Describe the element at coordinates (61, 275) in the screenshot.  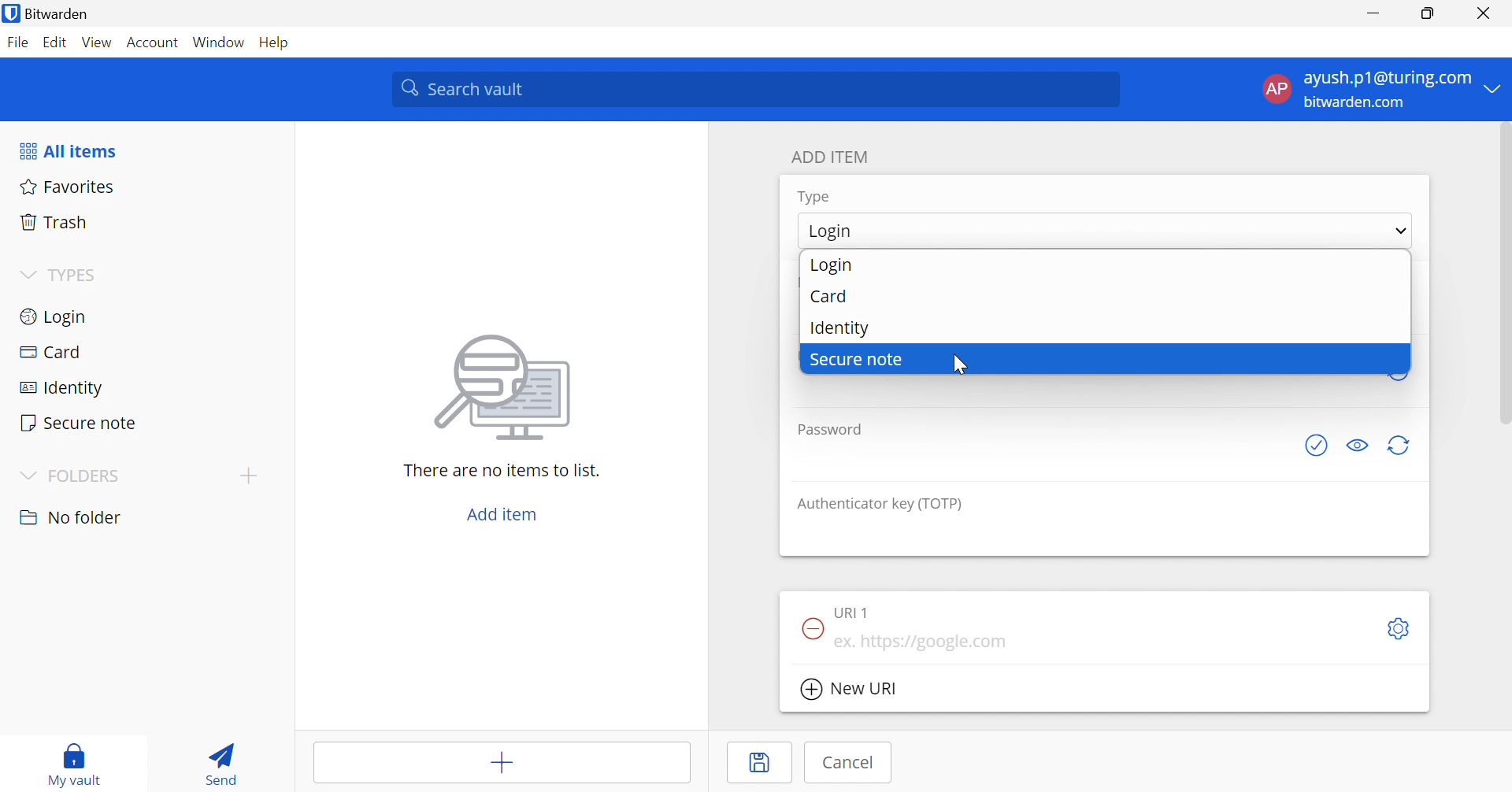
I see `TYPES` at that location.